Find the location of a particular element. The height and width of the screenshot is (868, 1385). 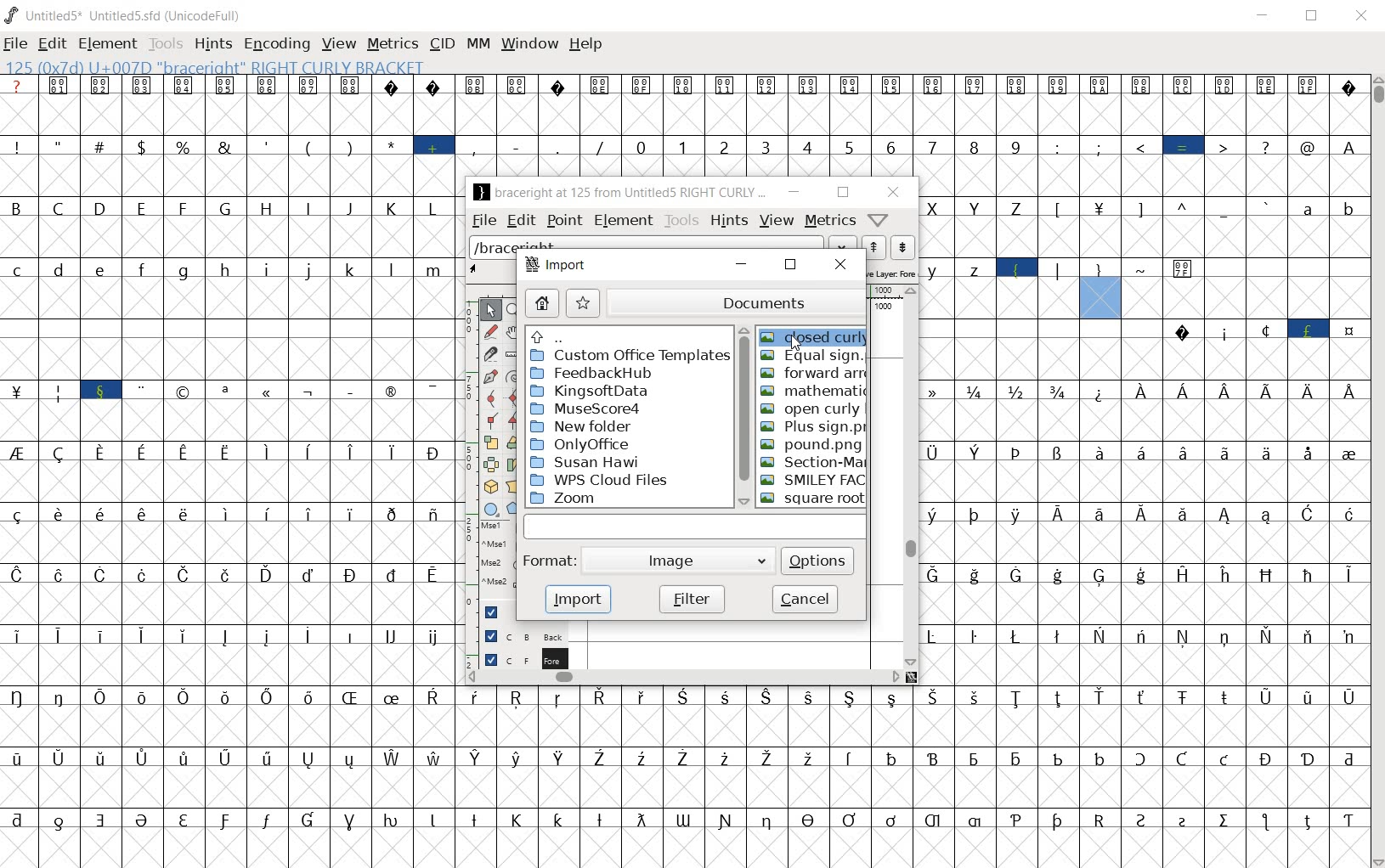

cancel is located at coordinates (806, 600).